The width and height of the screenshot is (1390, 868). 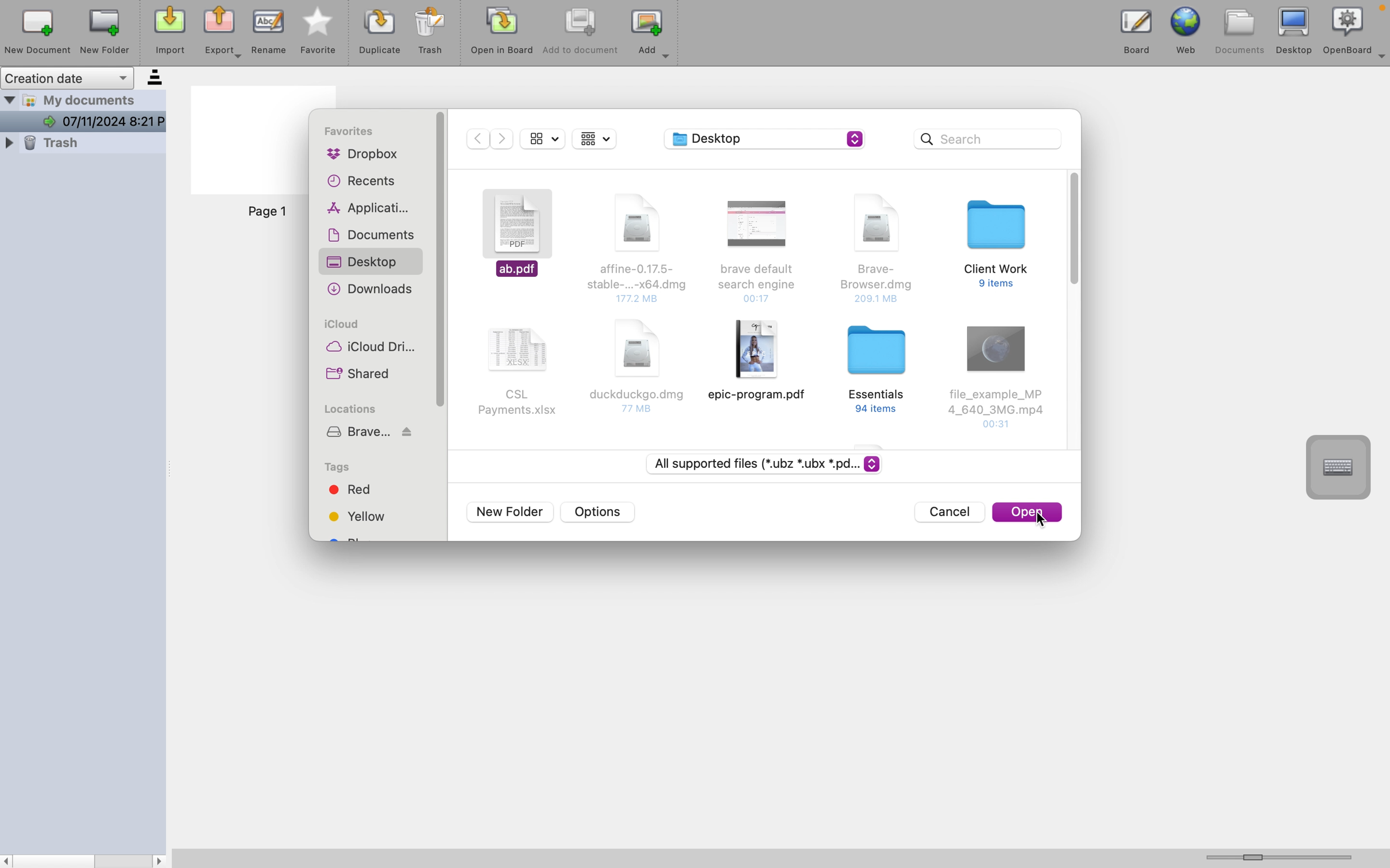 What do you see at coordinates (520, 232) in the screenshot?
I see `selected documents` at bounding box center [520, 232].